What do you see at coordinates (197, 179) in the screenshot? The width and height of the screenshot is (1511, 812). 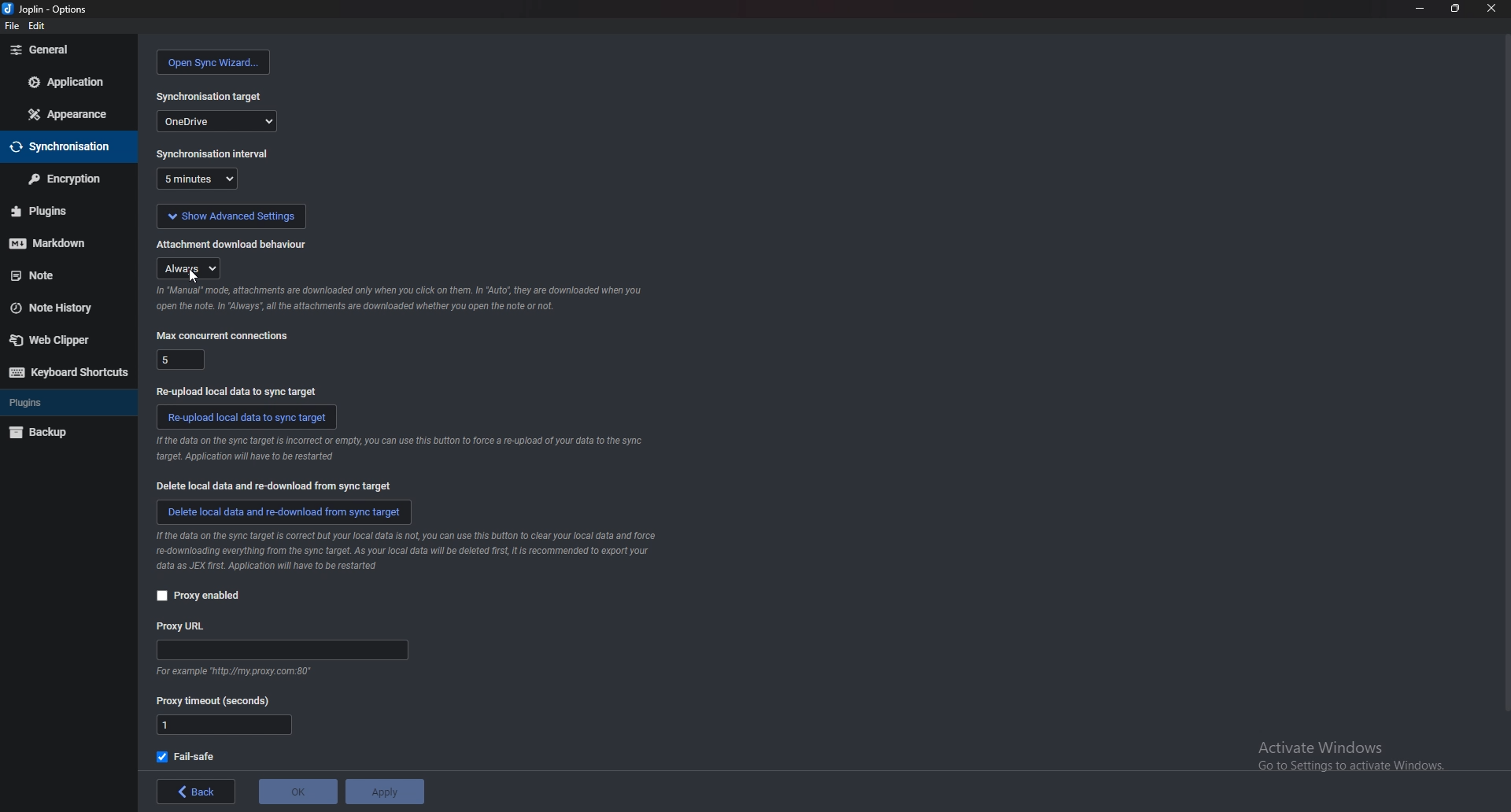 I see `duration` at bounding box center [197, 179].